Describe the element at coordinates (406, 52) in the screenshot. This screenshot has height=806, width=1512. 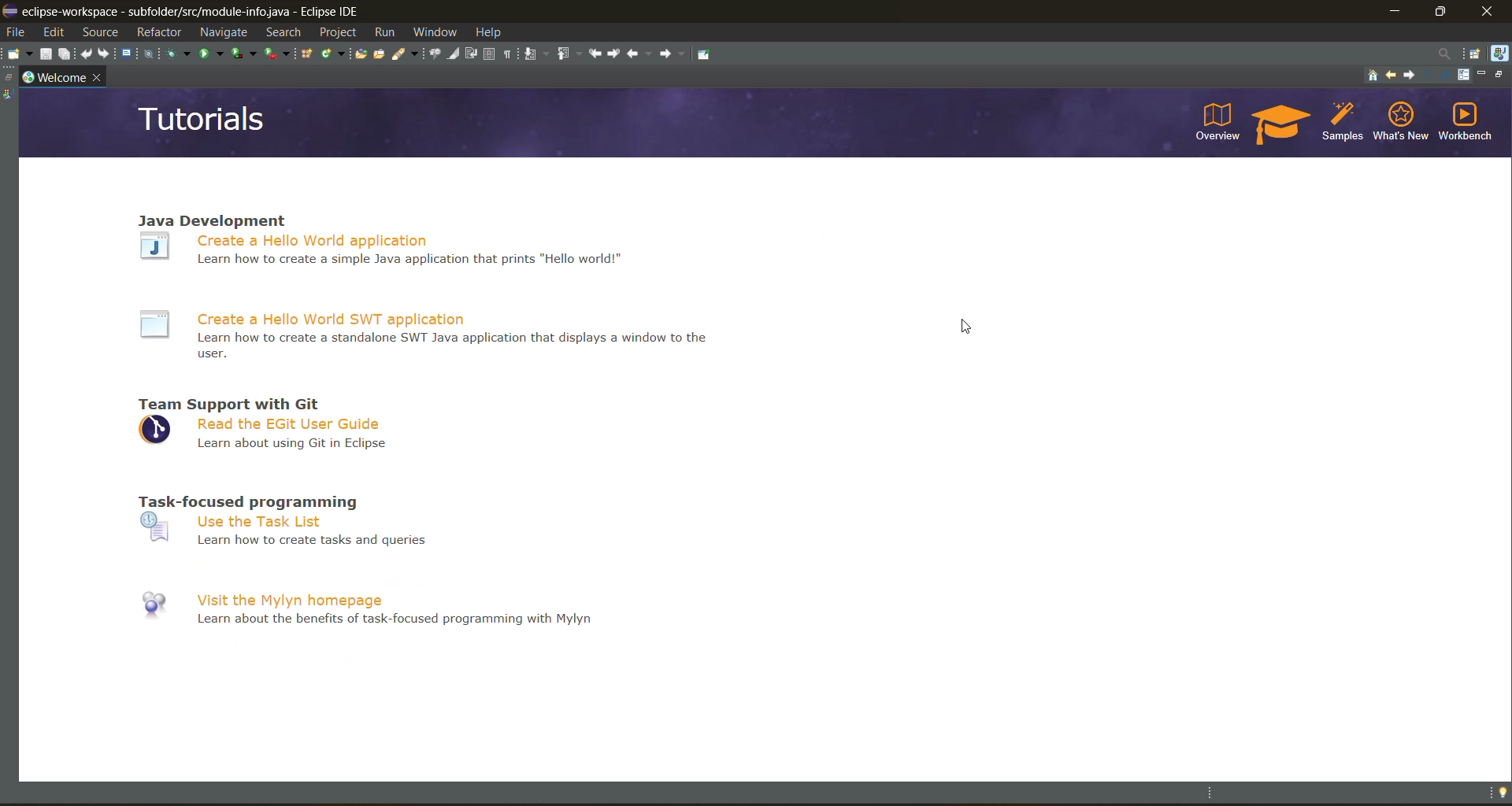
I see `search` at that location.